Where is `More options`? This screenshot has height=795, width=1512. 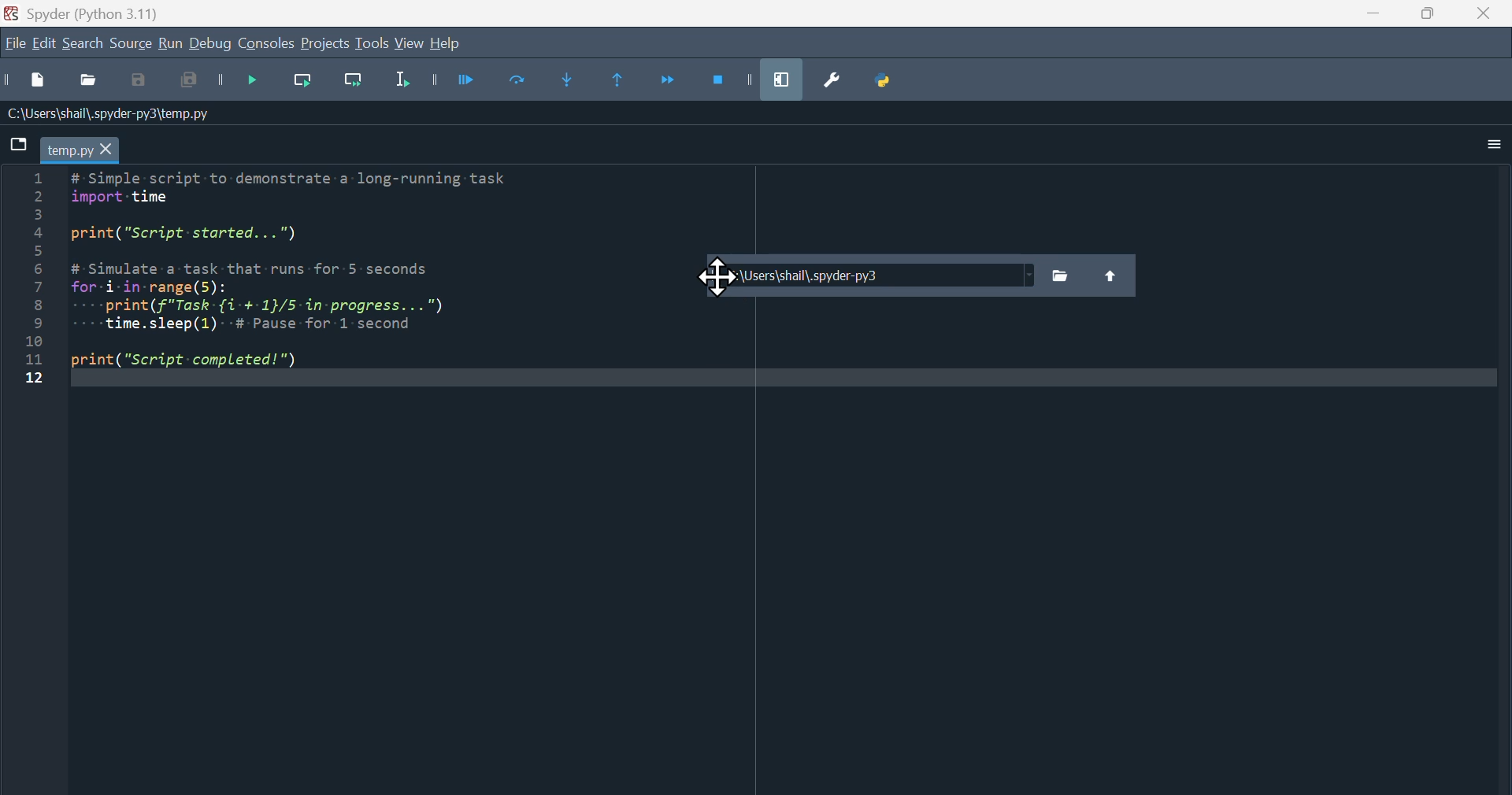
More options is located at coordinates (1483, 148).